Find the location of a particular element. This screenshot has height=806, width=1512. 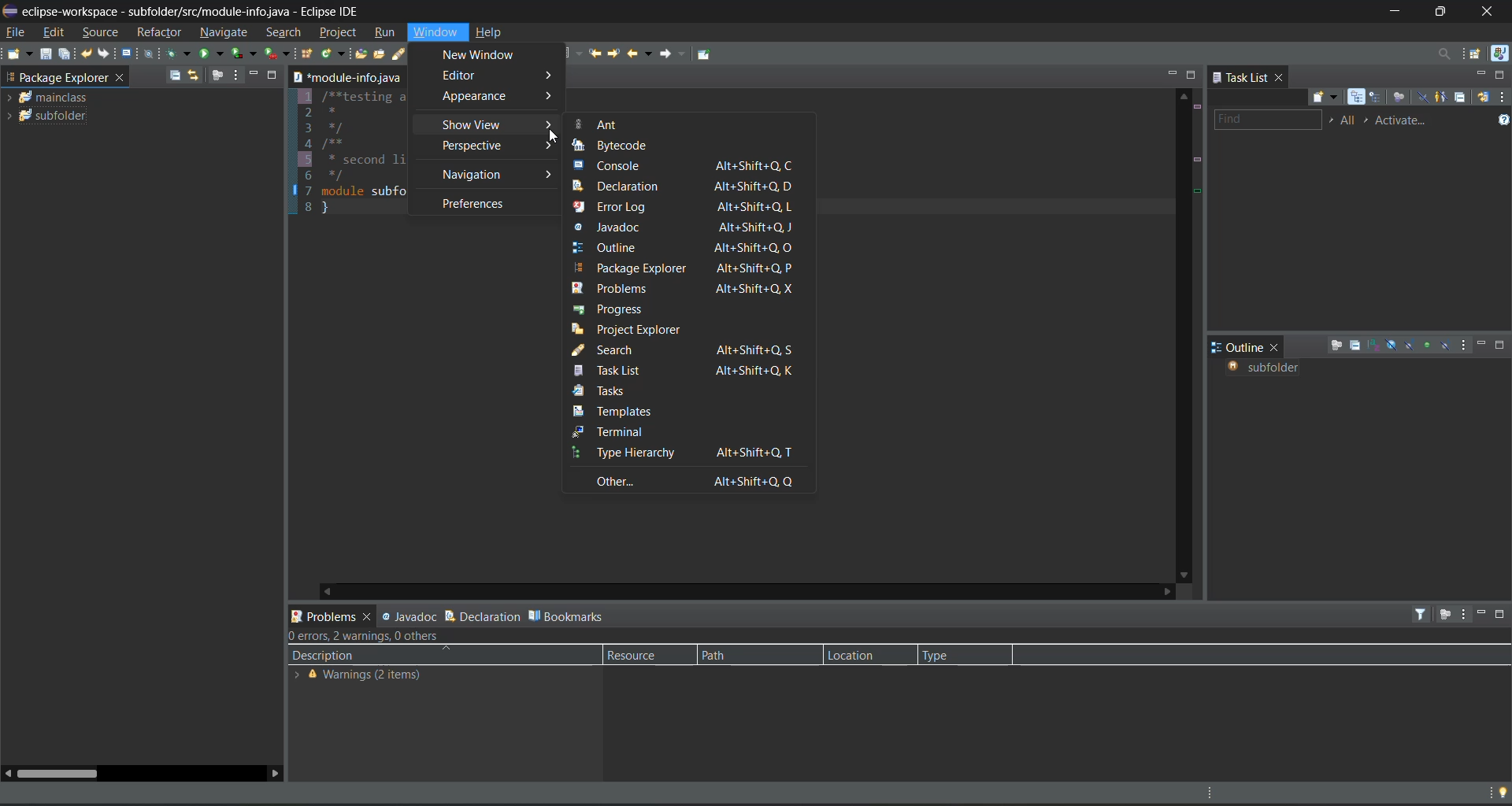

next edit location is located at coordinates (617, 55).